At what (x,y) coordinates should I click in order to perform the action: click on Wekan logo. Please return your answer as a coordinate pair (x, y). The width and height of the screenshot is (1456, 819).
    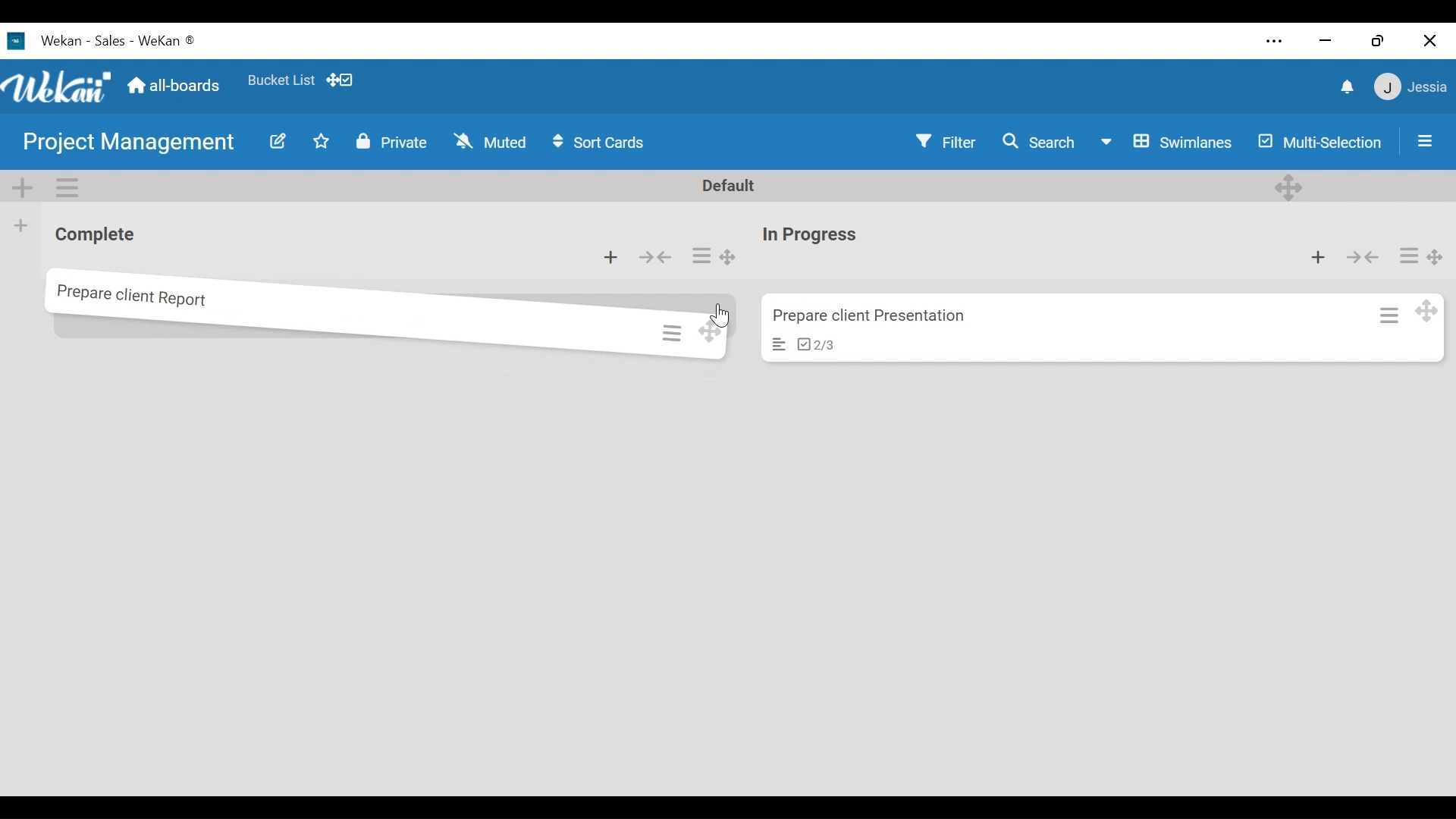
    Looking at the image, I should click on (19, 41).